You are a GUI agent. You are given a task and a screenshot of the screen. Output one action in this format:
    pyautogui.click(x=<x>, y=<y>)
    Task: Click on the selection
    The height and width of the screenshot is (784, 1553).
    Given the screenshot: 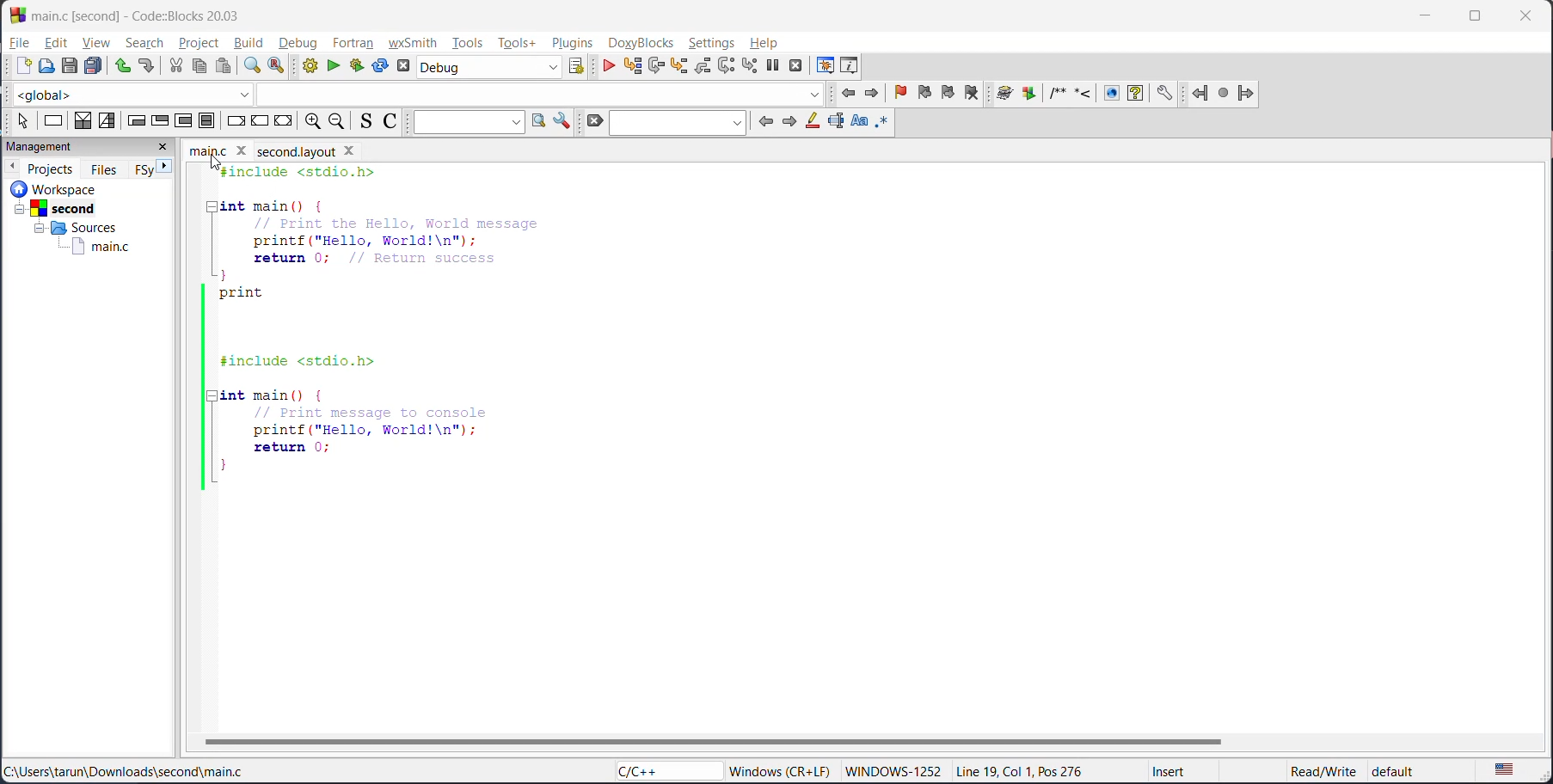 What is the action you would take?
    pyautogui.click(x=107, y=121)
    